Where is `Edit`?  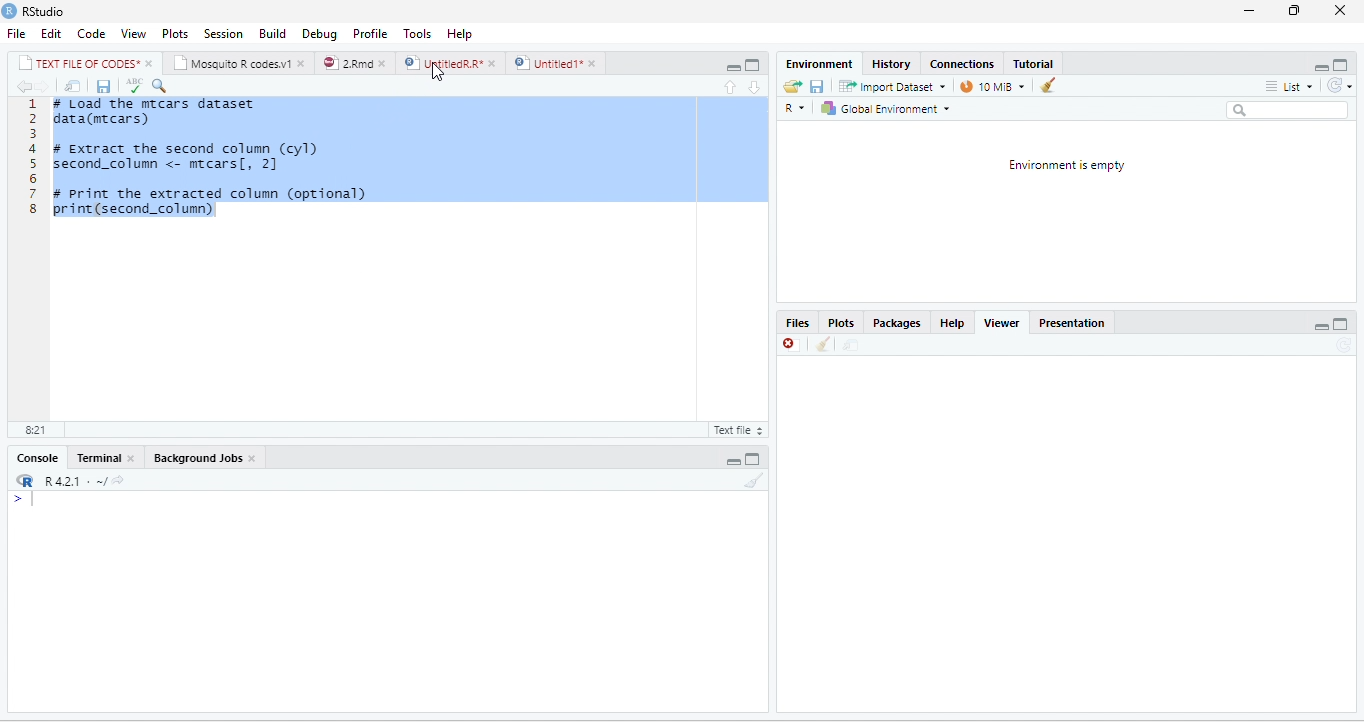
Edit is located at coordinates (51, 34).